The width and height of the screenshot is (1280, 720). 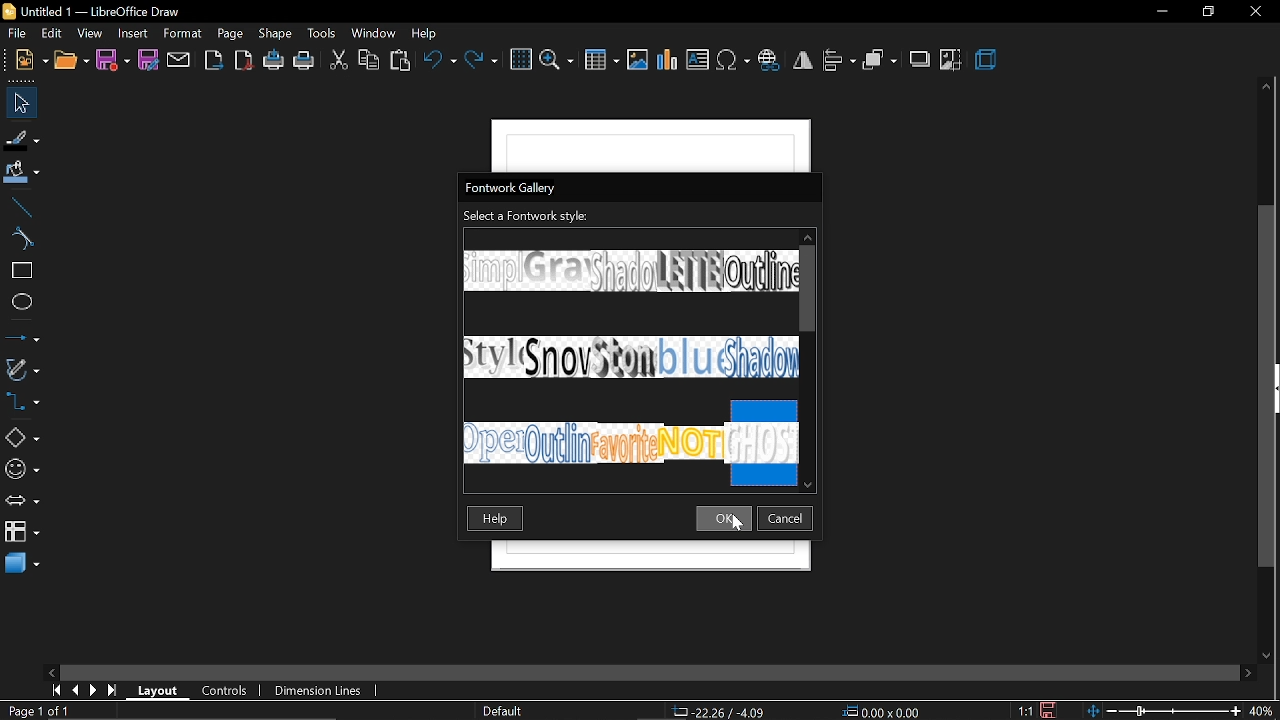 What do you see at coordinates (526, 217) in the screenshot?
I see `select fontwork style` at bounding box center [526, 217].